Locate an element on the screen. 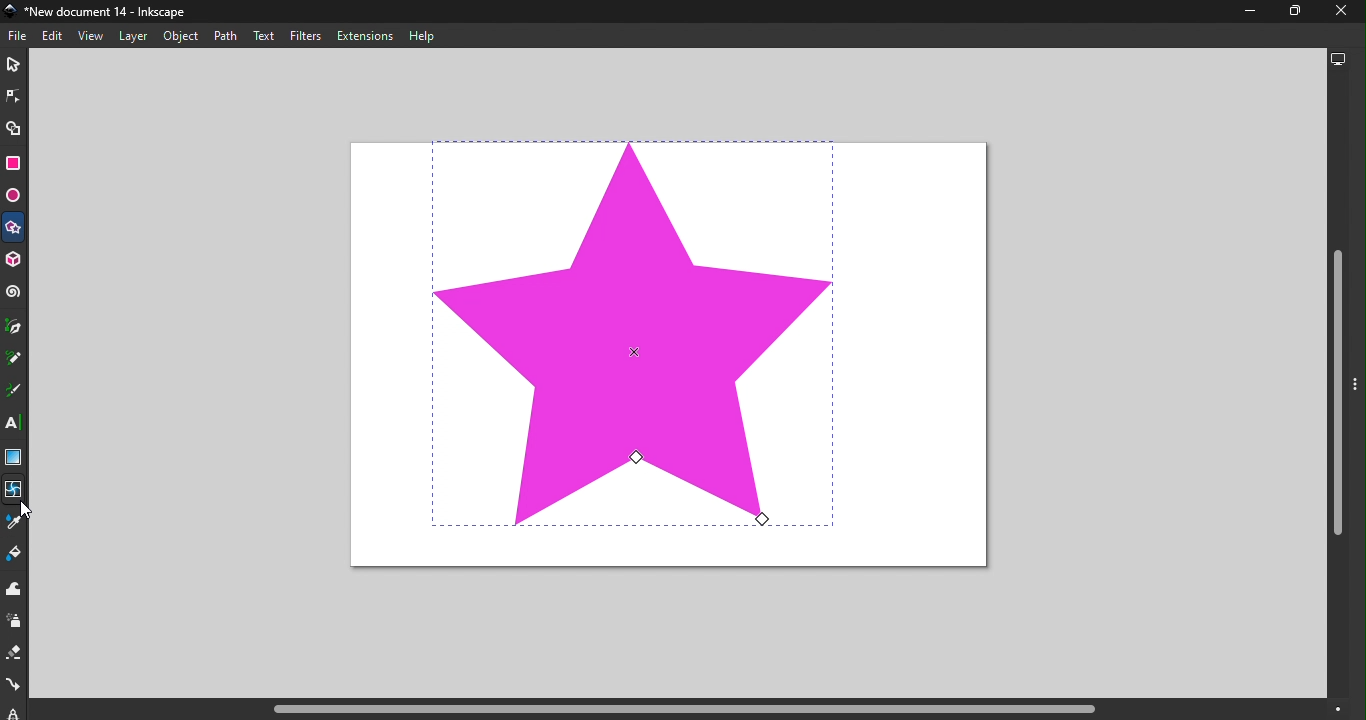 The image size is (1366, 720). File name is located at coordinates (102, 13).